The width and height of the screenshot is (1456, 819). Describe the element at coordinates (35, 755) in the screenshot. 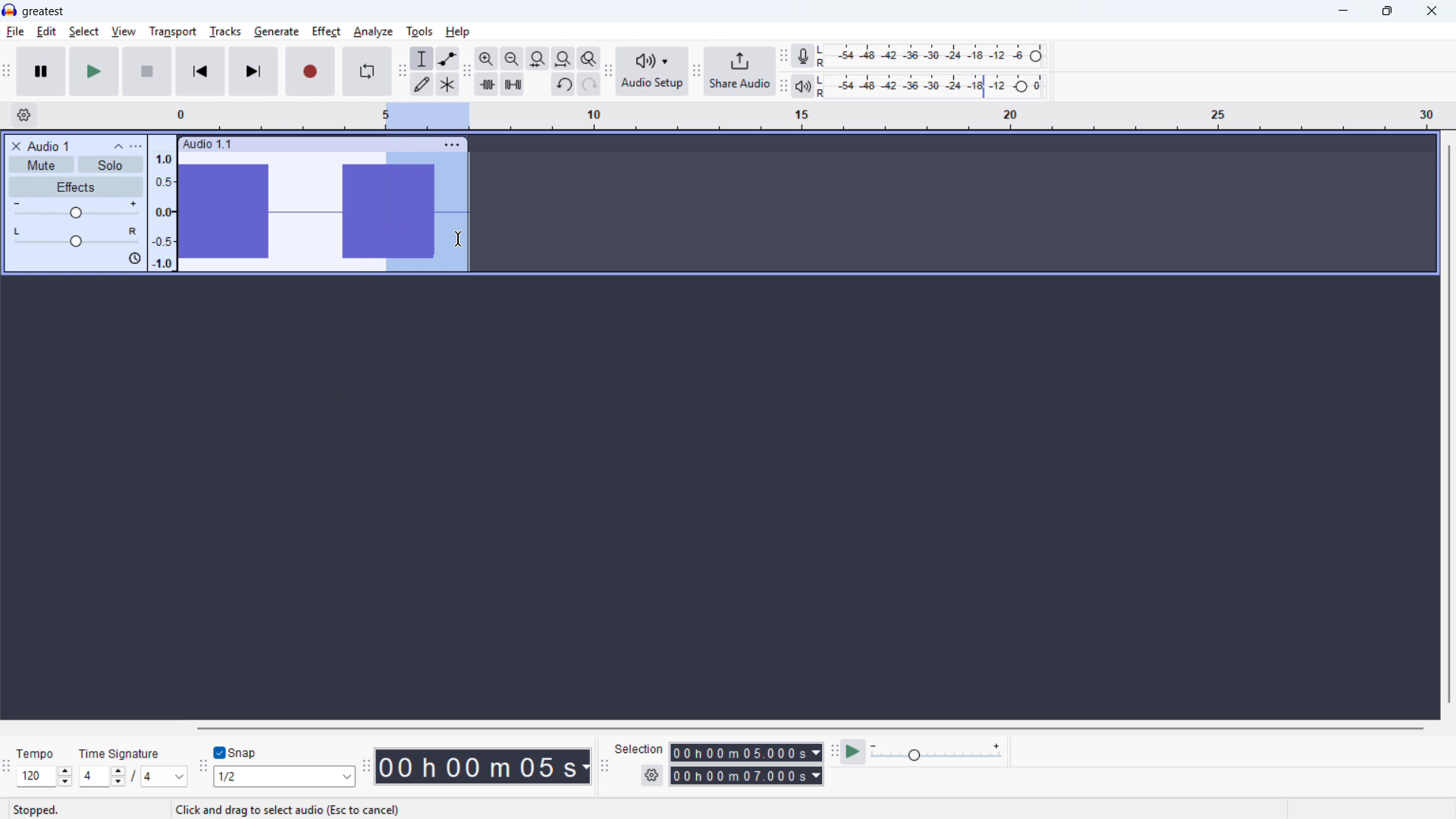

I see `` at that location.